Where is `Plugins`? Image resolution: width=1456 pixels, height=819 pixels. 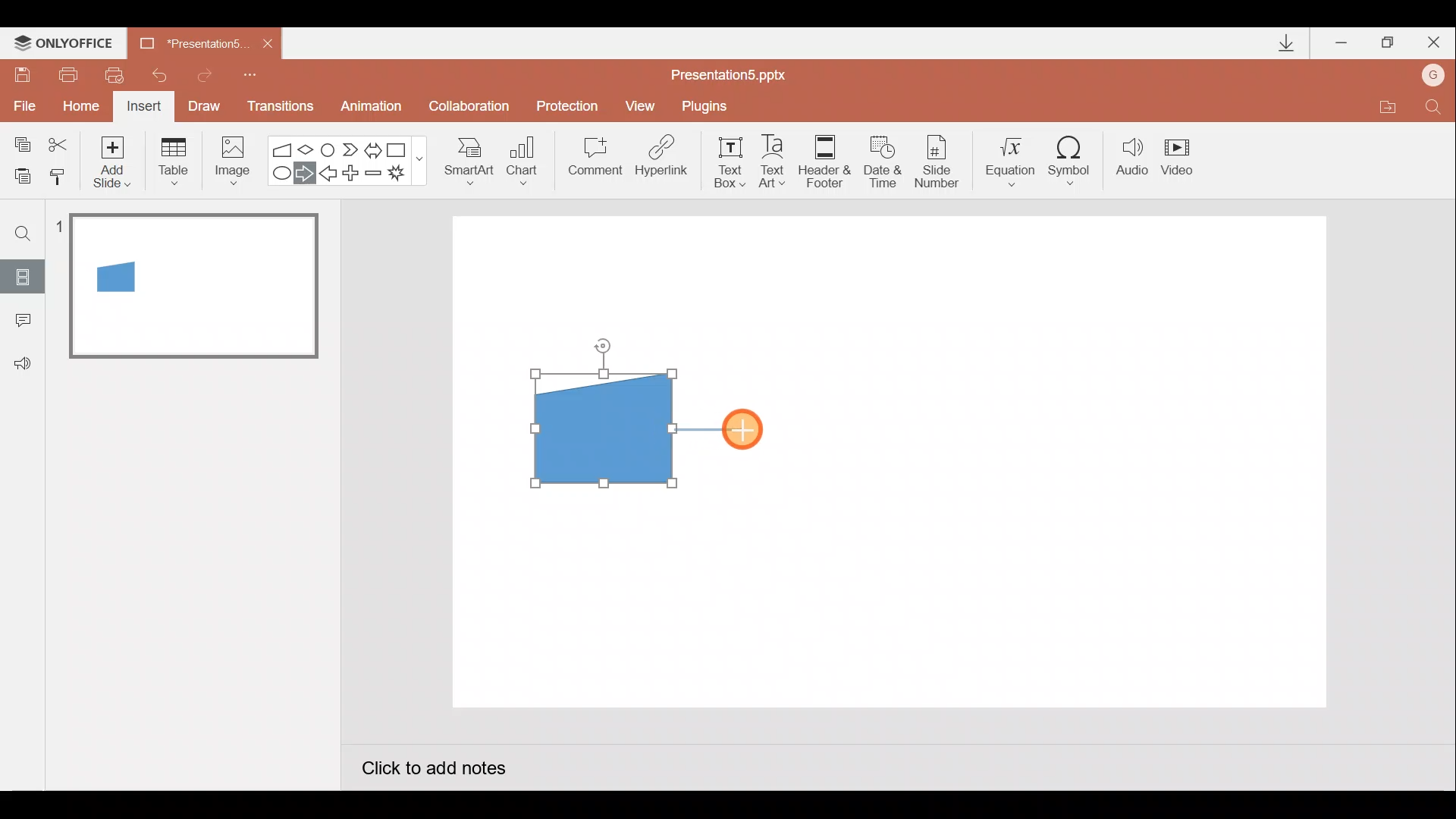 Plugins is located at coordinates (708, 106).